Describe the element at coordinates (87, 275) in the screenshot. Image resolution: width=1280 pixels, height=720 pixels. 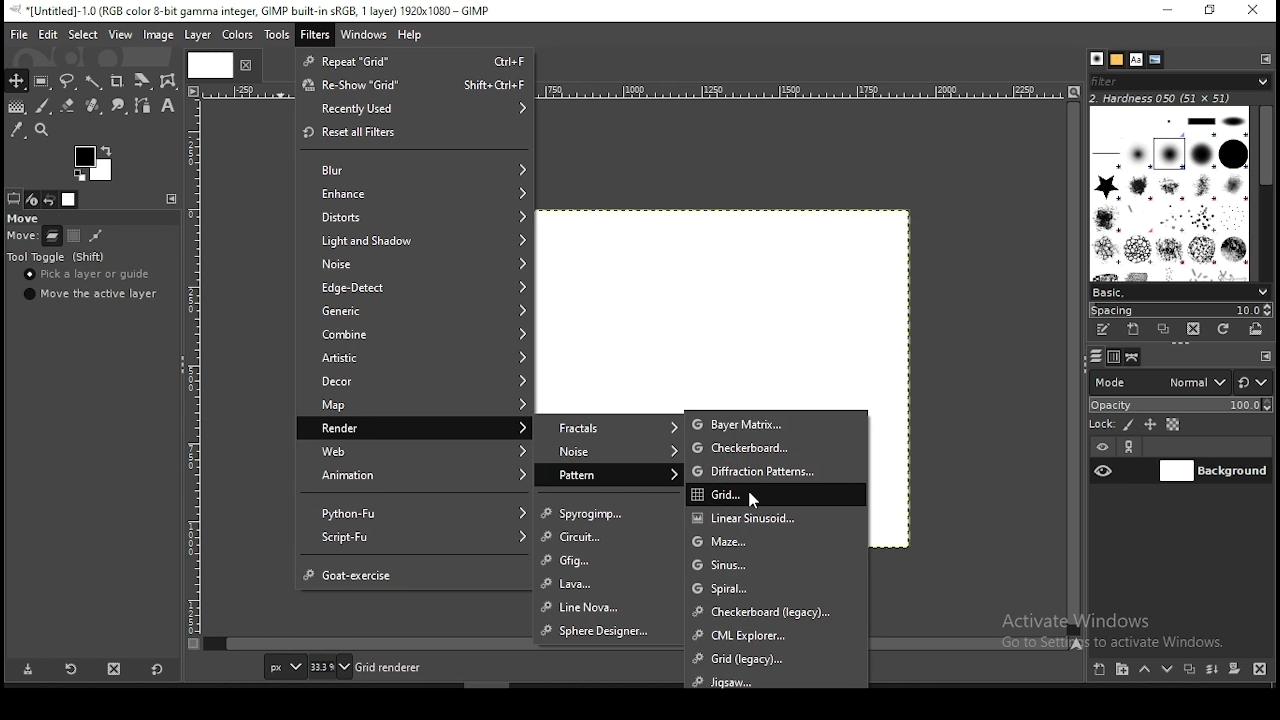
I see `pick a layer or guide` at that location.